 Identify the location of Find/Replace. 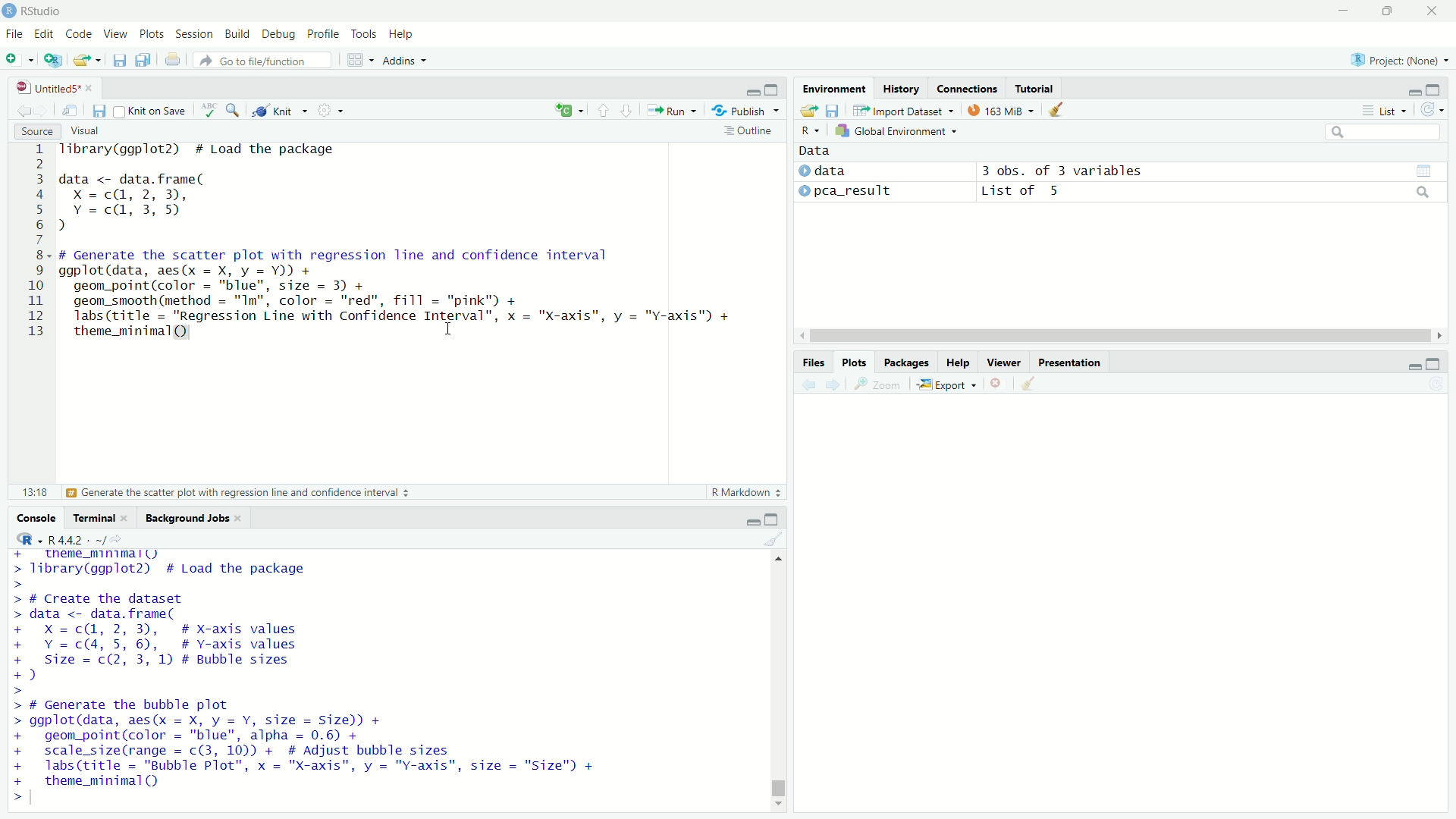
(233, 110).